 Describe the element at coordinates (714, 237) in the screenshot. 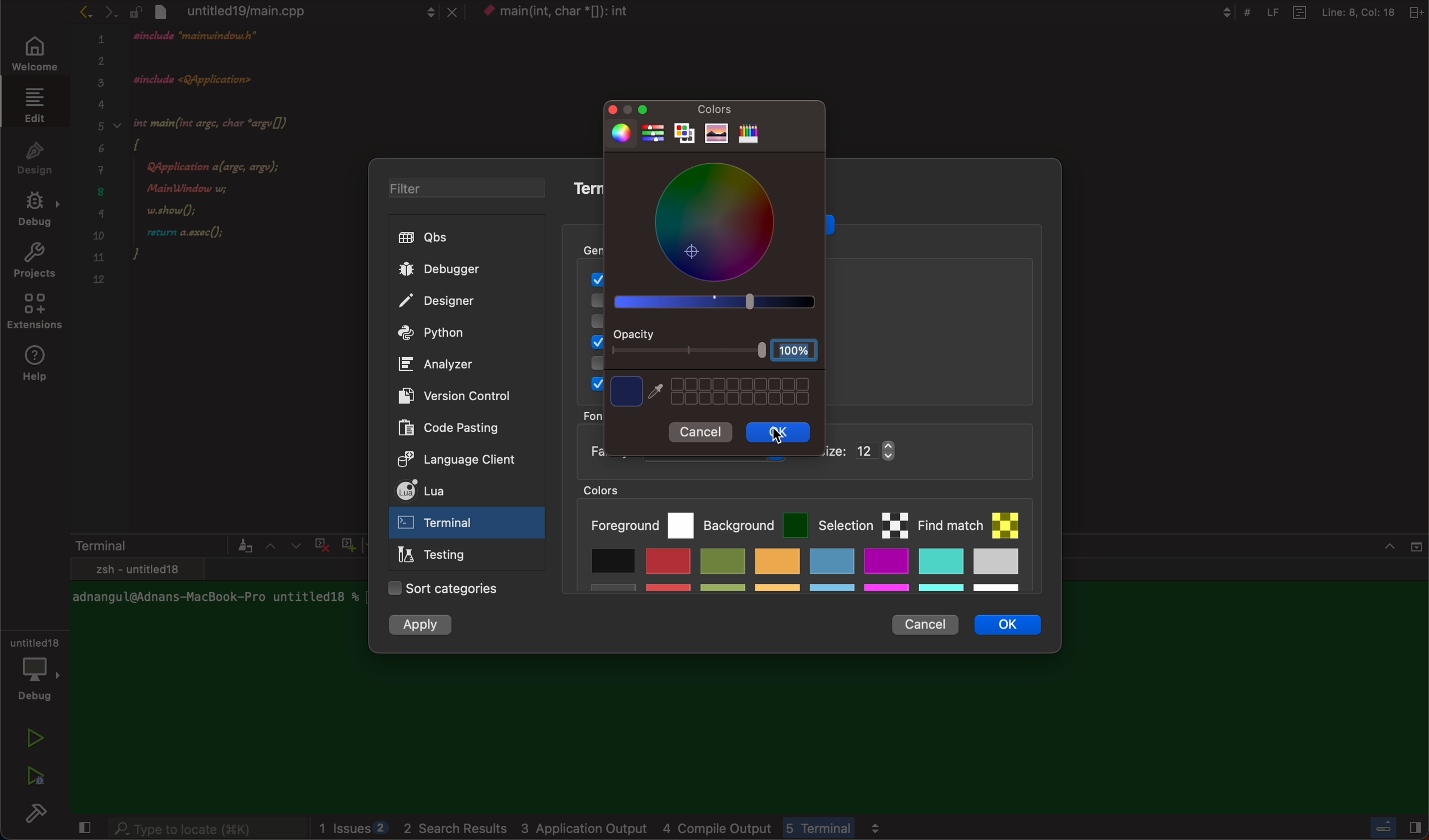

I see `color picker` at that location.